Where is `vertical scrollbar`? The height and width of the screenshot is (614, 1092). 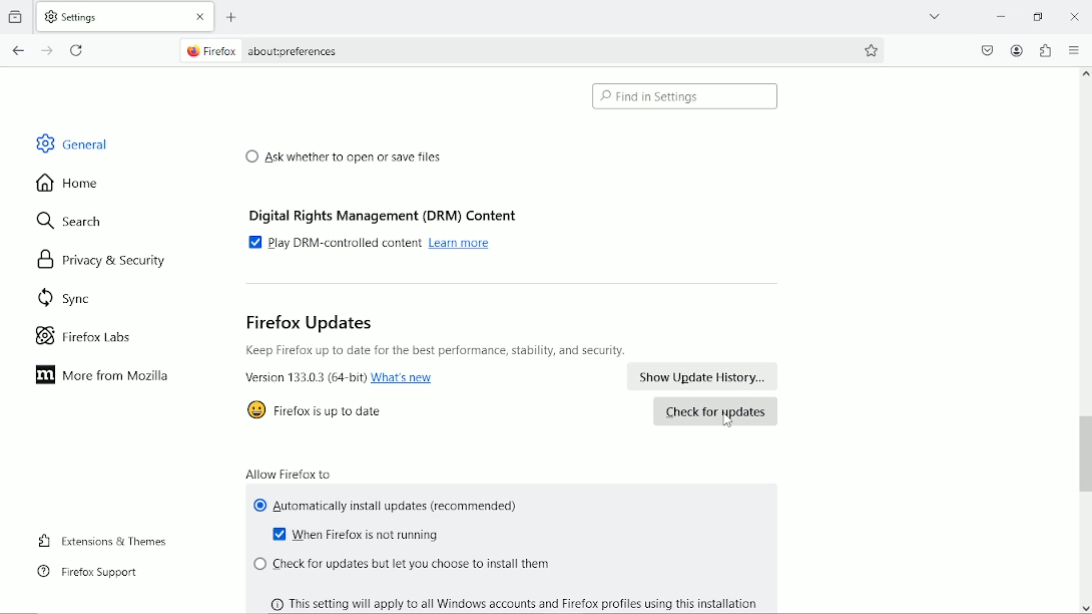
vertical scrollbar is located at coordinates (1084, 450).